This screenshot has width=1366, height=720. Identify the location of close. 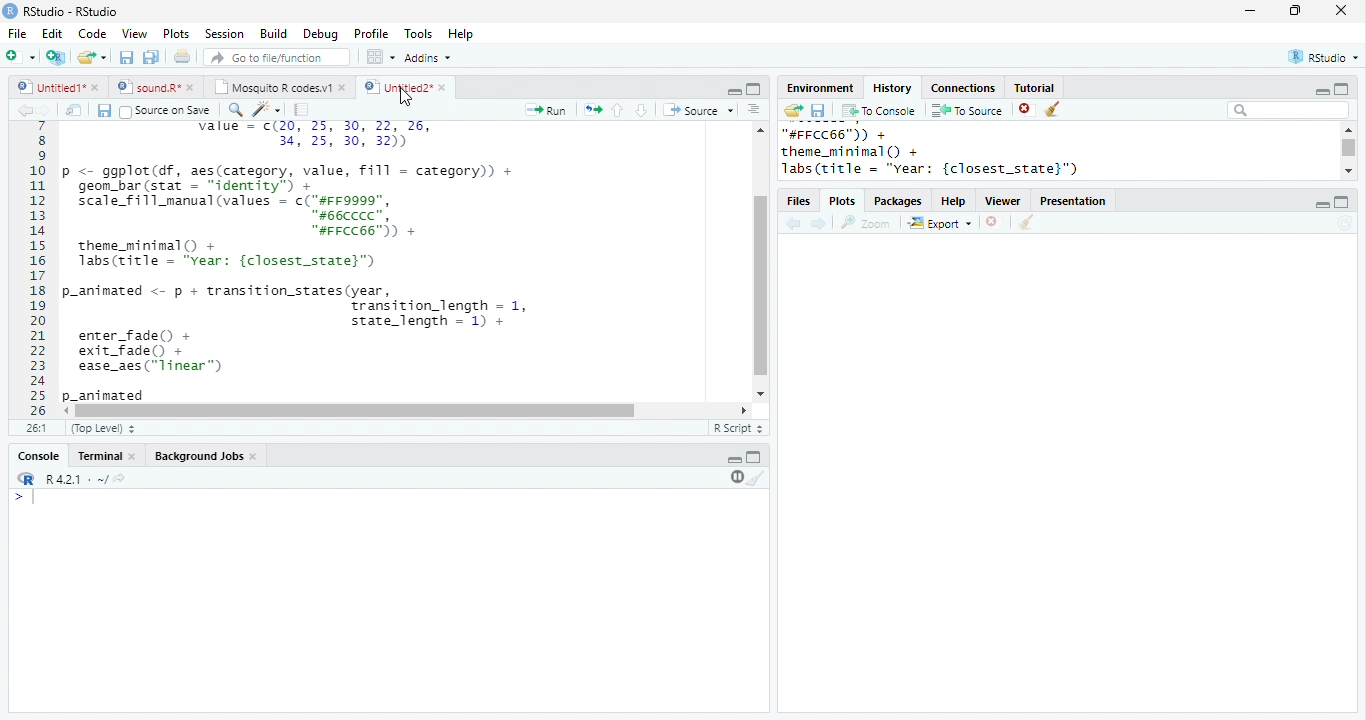
(98, 89).